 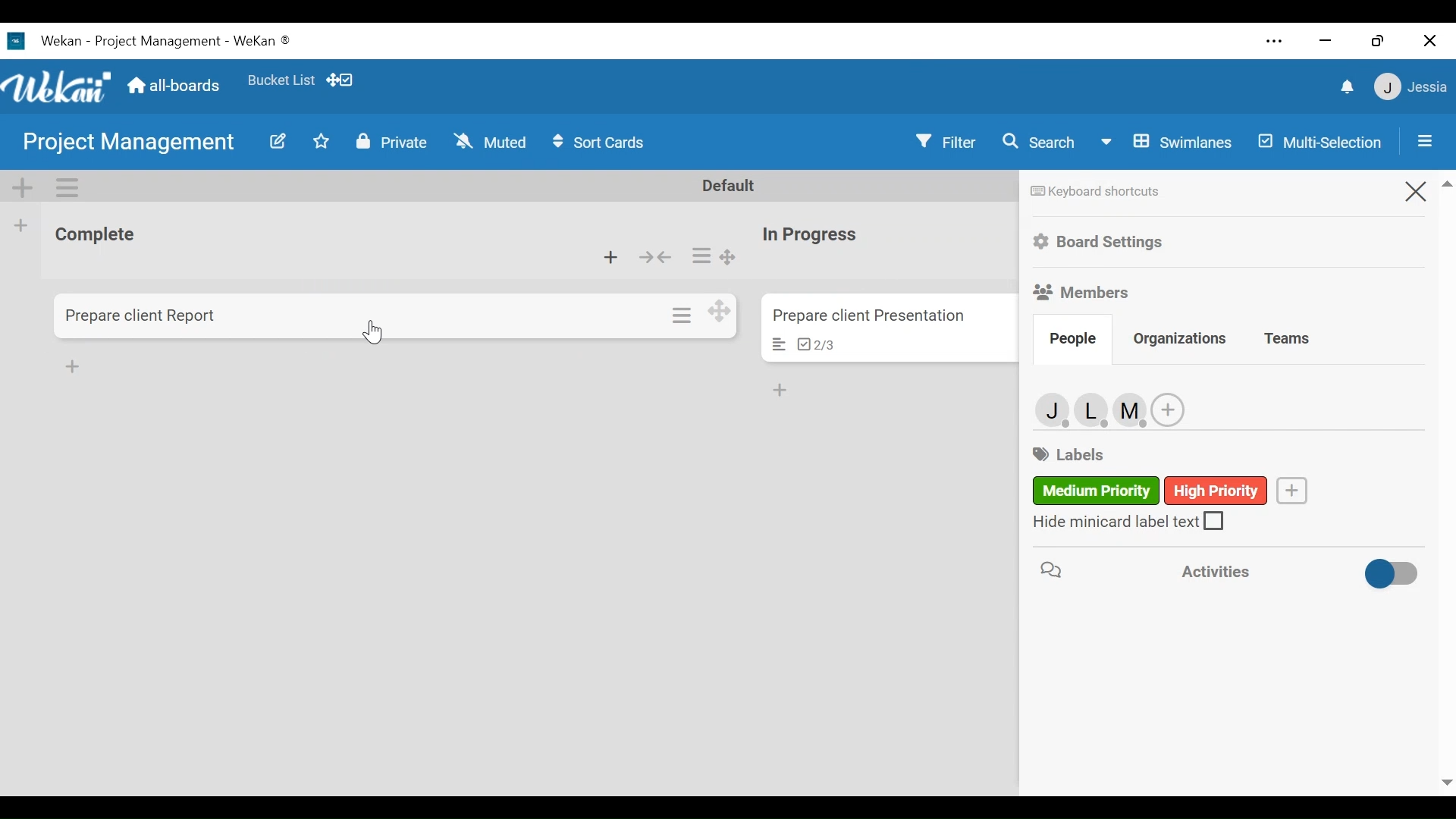 I want to click on Muted, so click(x=490, y=142).